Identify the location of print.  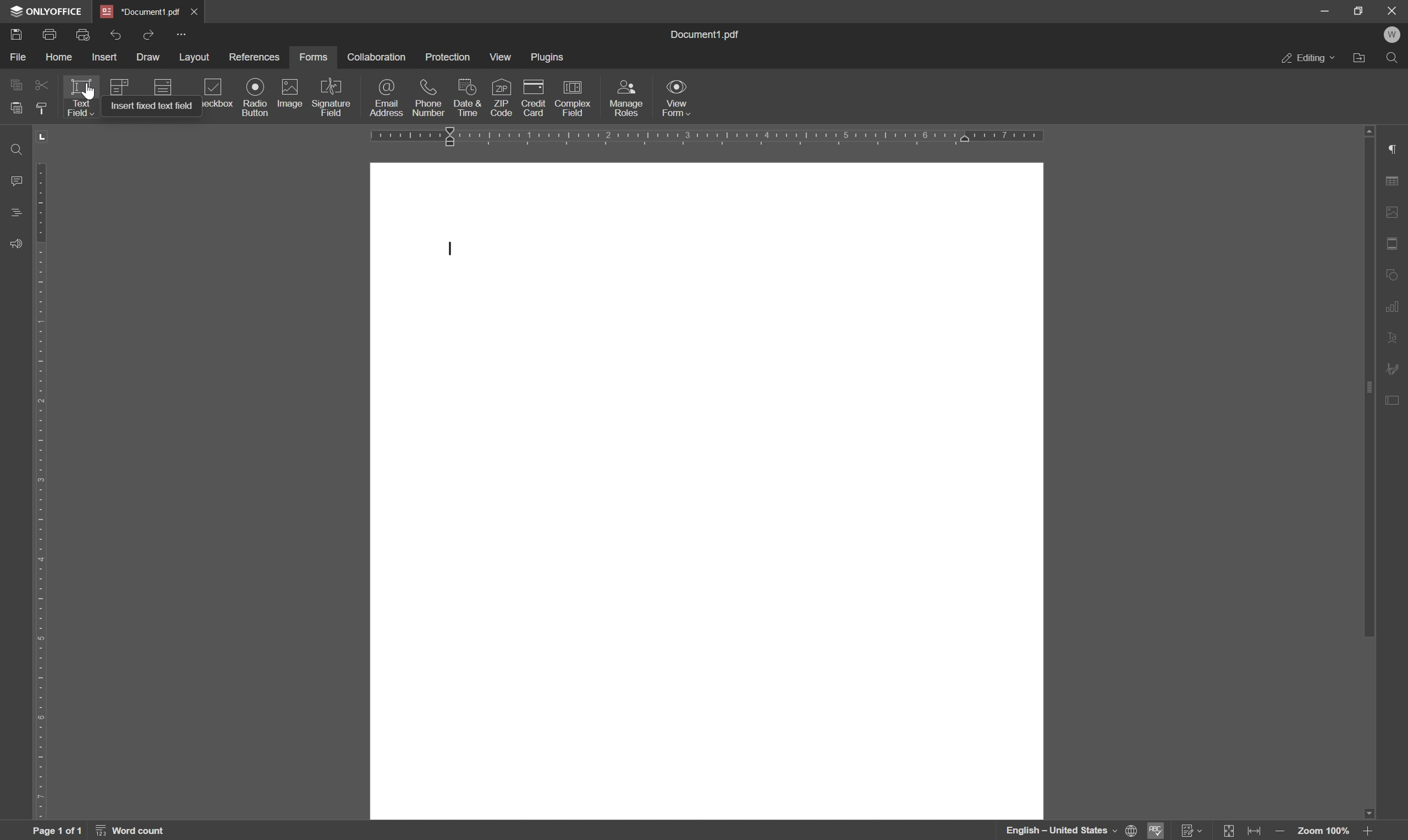
(51, 36).